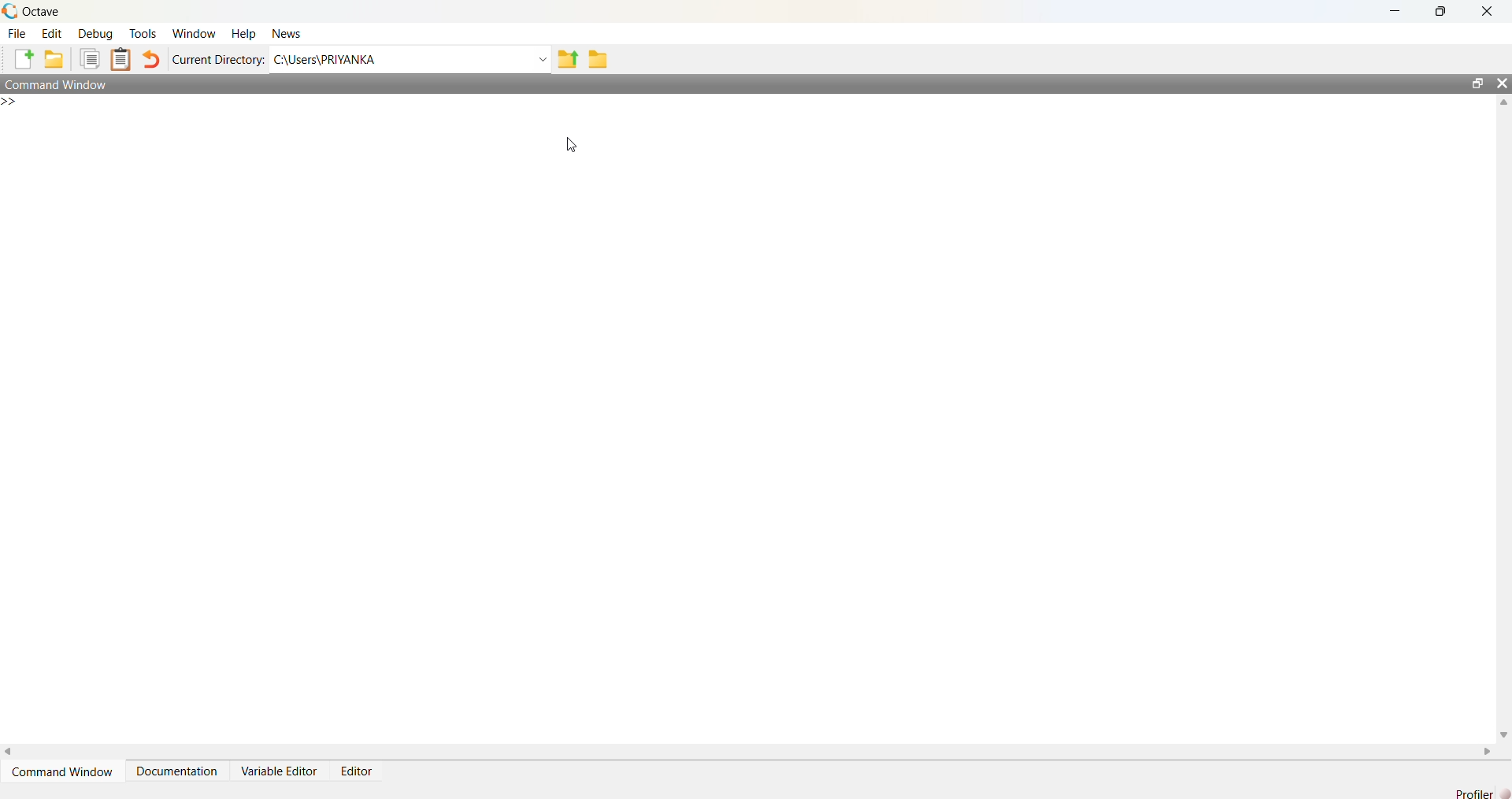 The image size is (1512, 799). Describe the element at coordinates (143, 35) in the screenshot. I see `Tools` at that location.